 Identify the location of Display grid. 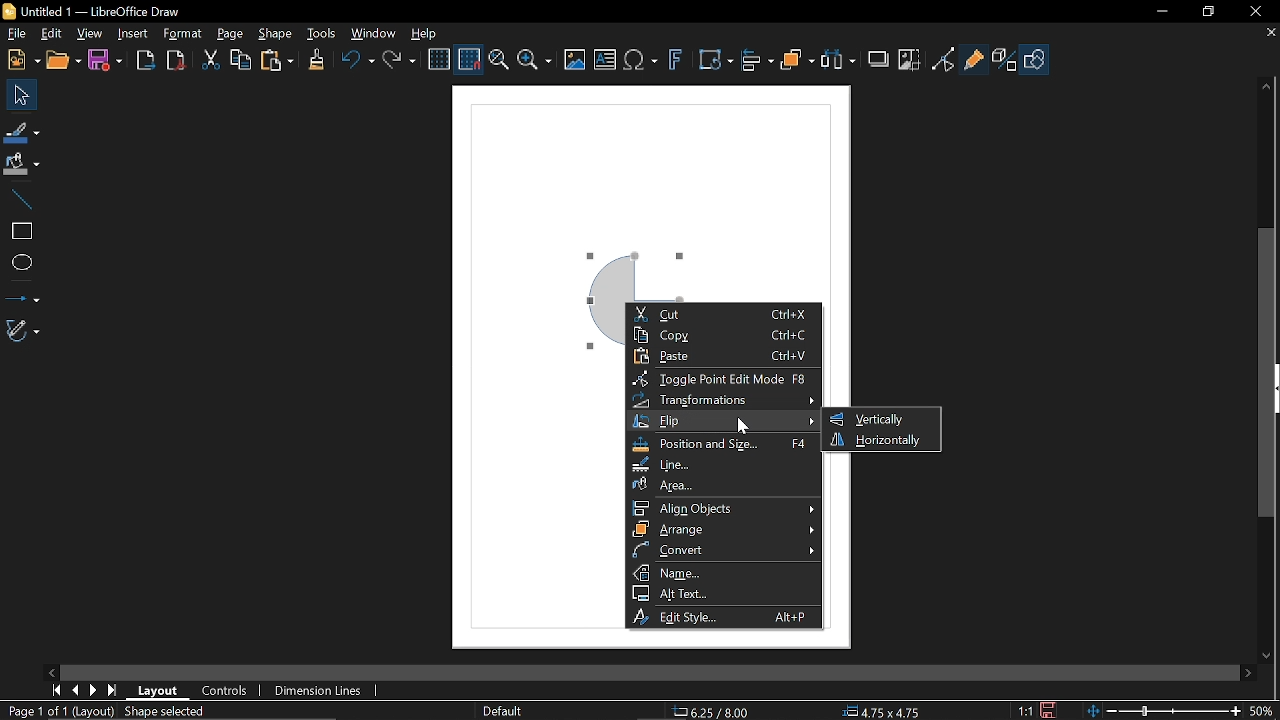
(439, 60).